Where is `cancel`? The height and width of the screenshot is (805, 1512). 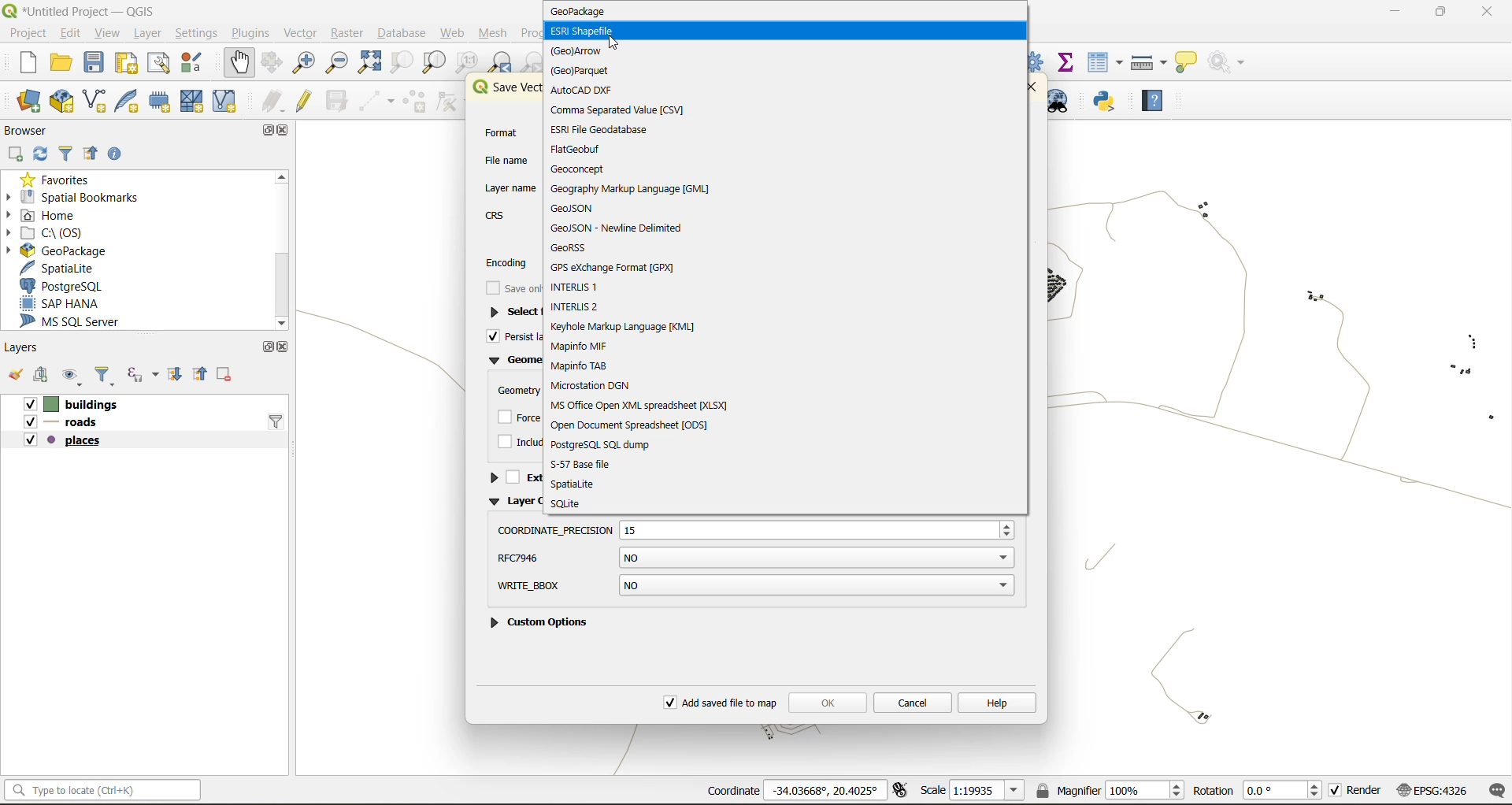
cancel is located at coordinates (915, 703).